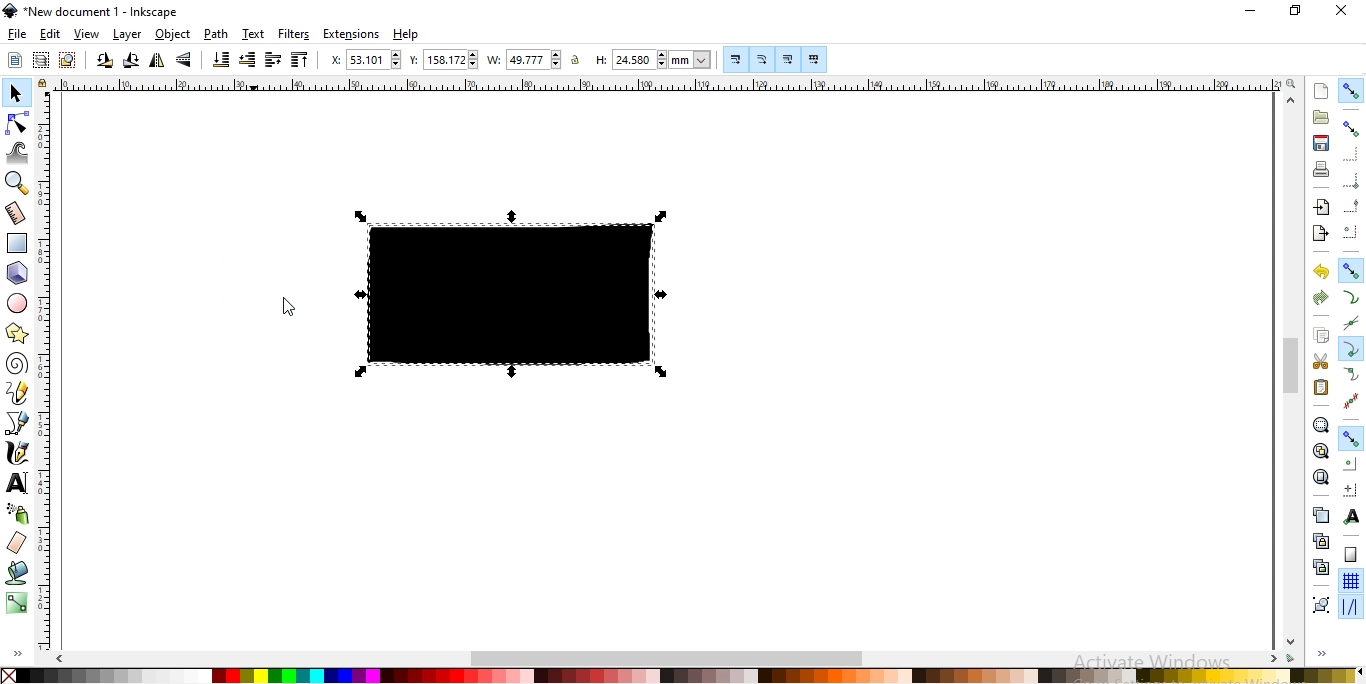  I want to click on filters, so click(294, 34).